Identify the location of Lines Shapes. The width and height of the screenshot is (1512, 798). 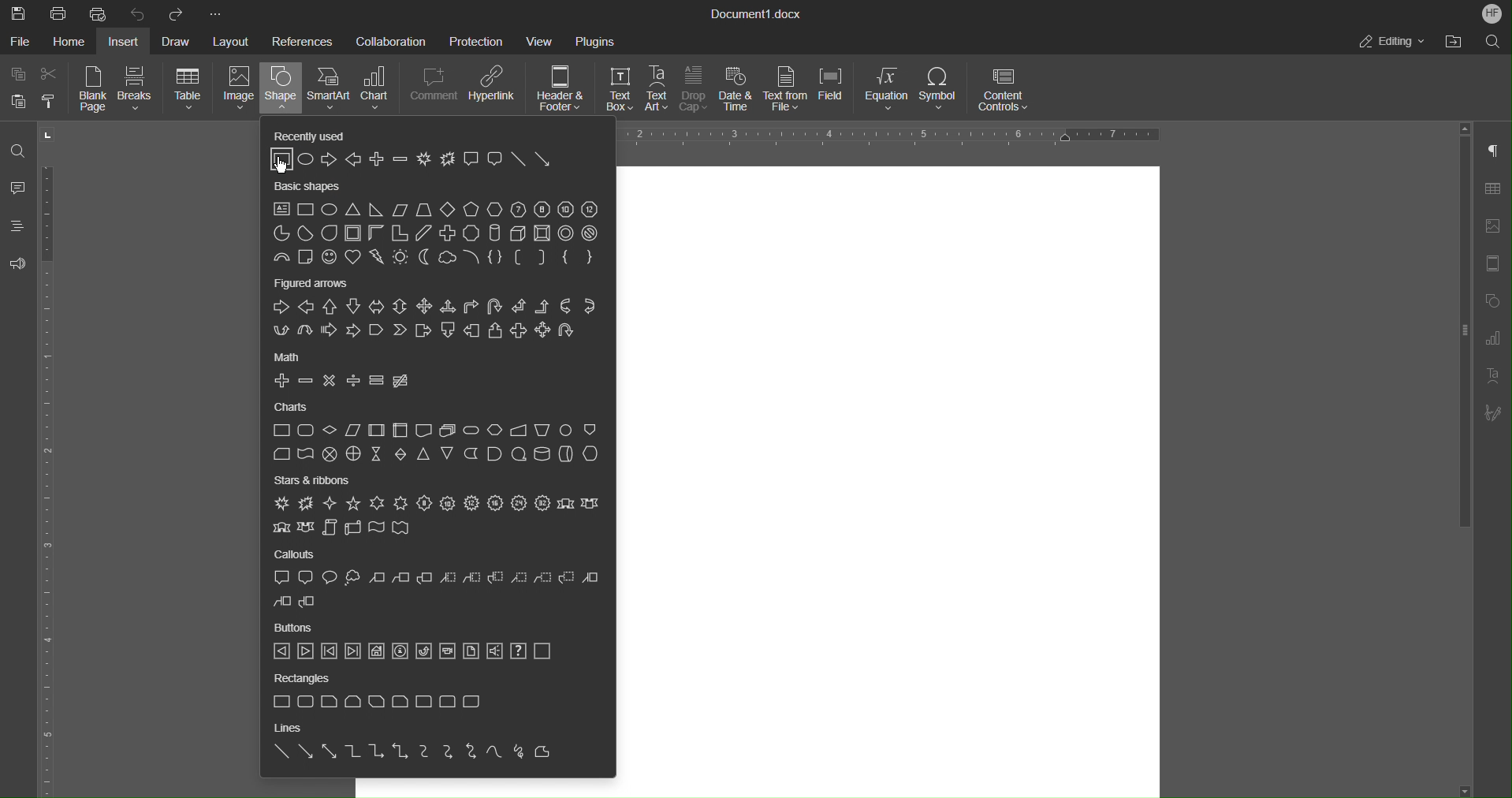
(415, 754).